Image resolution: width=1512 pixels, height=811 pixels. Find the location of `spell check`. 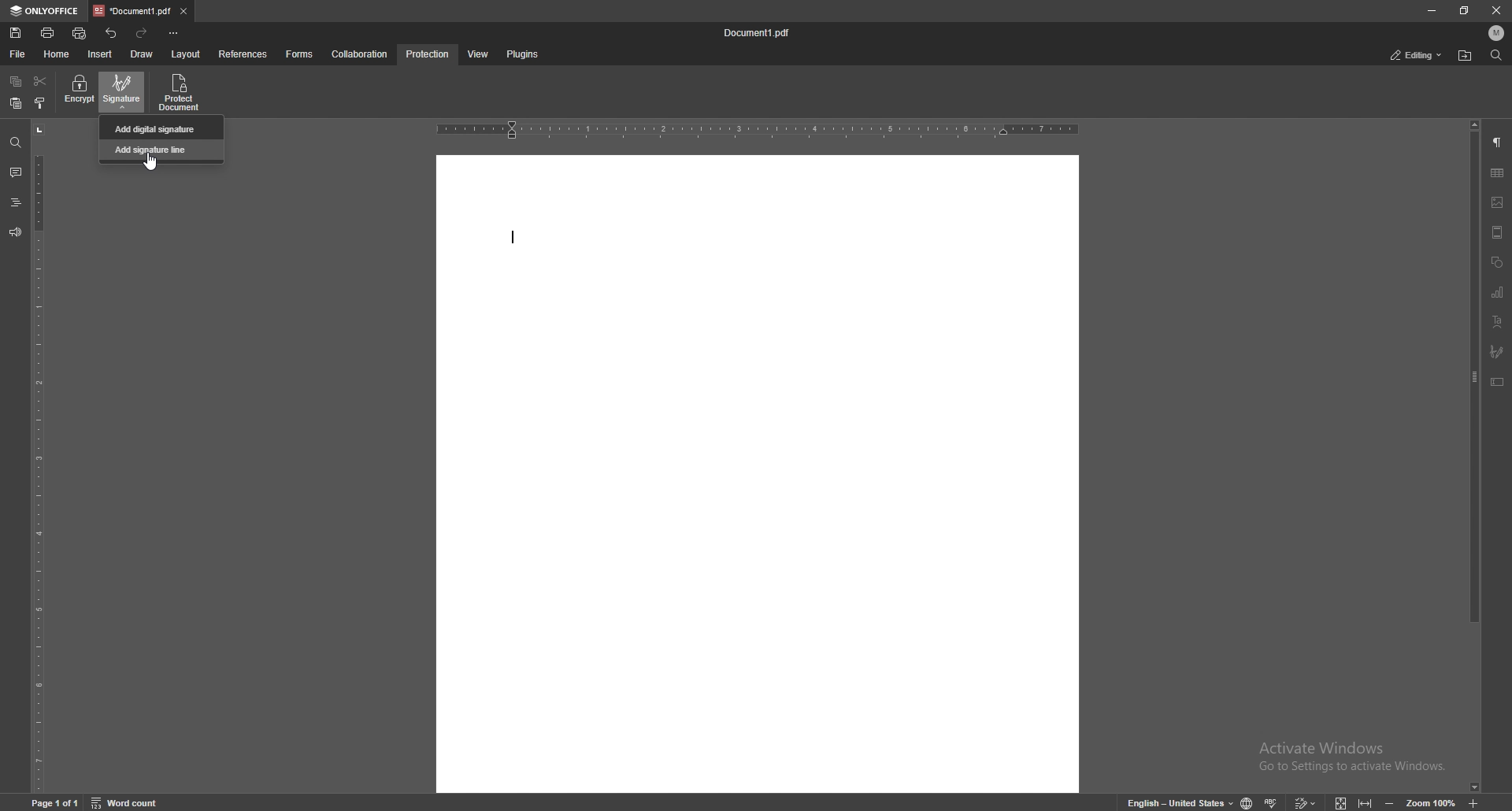

spell check is located at coordinates (1273, 799).